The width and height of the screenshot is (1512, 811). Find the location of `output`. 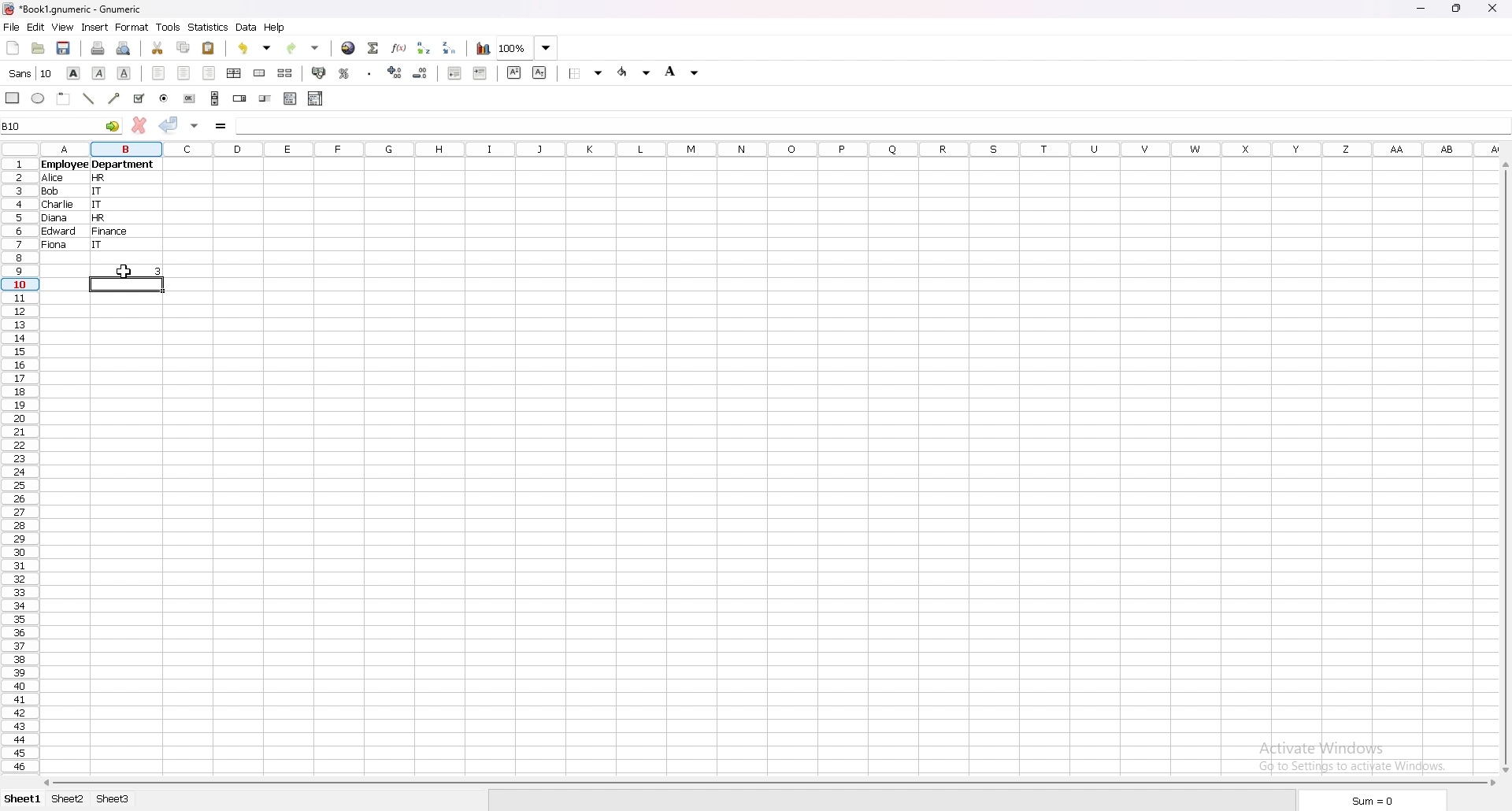

output is located at coordinates (130, 268).